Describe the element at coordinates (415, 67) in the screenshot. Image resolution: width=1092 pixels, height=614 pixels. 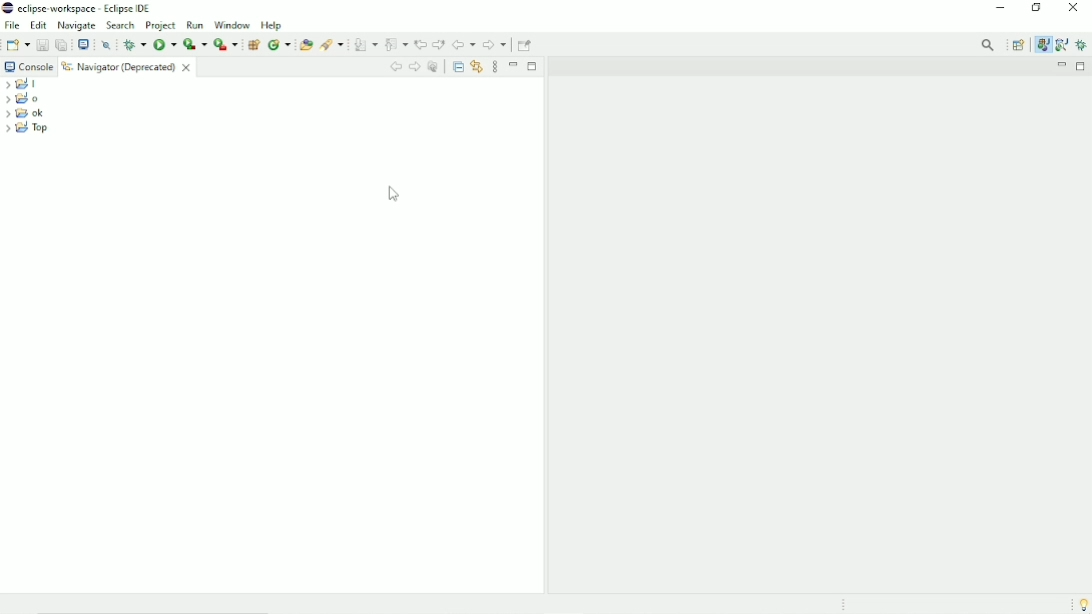
I see `Forward` at that location.